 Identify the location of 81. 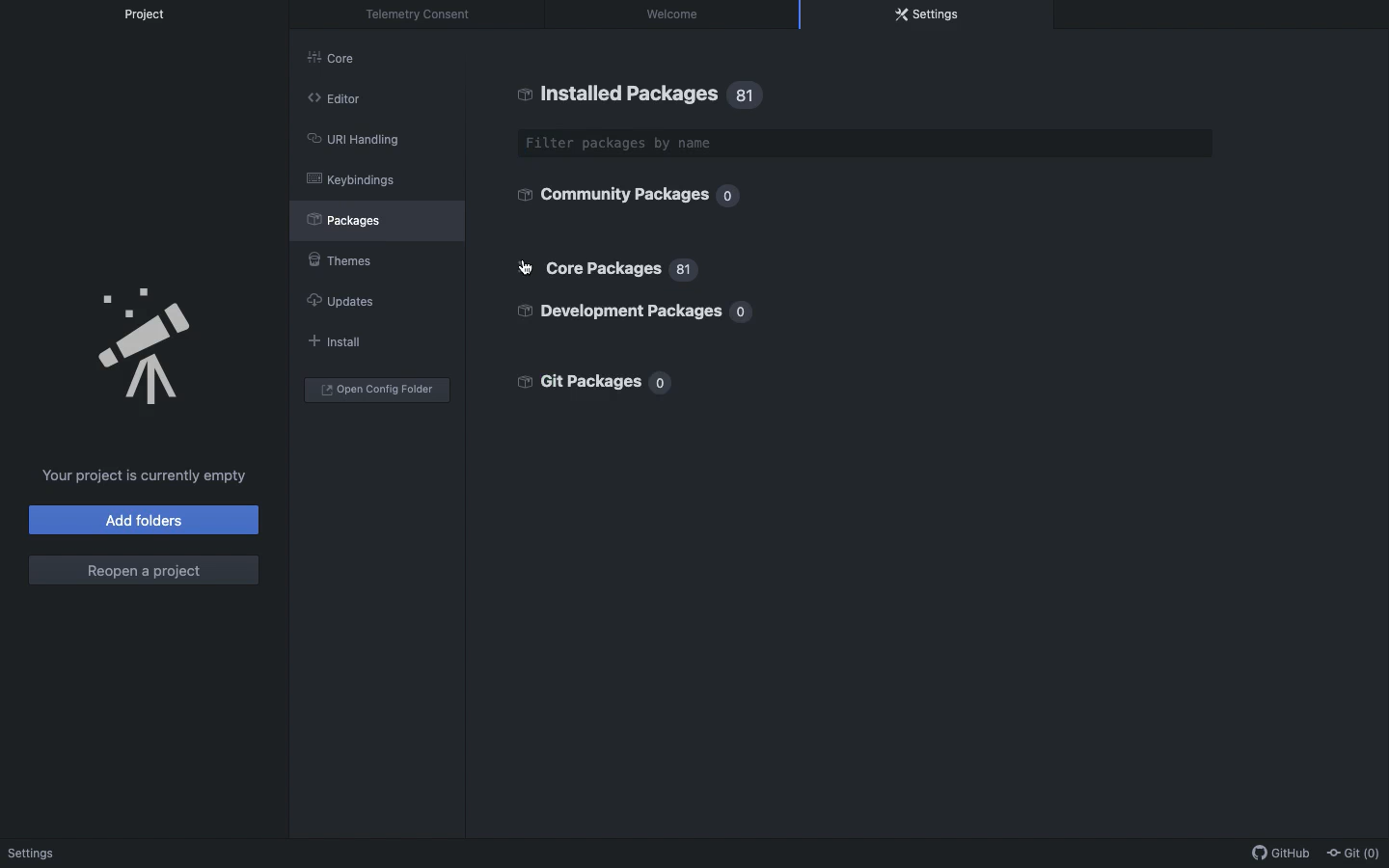
(749, 95).